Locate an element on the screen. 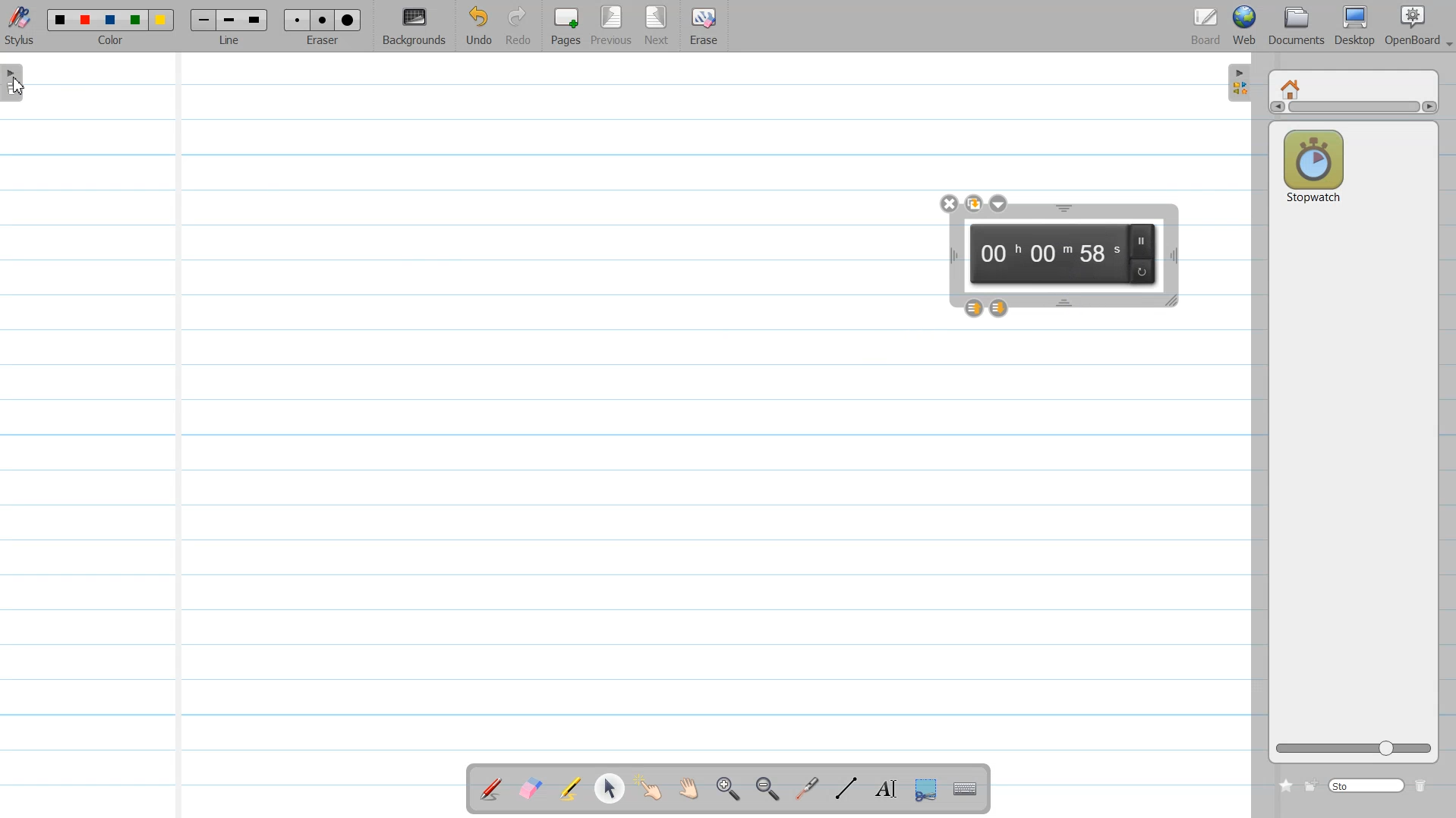 This screenshot has width=1456, height=818. Capture part of the Screen is located at coordinates (928, 790).